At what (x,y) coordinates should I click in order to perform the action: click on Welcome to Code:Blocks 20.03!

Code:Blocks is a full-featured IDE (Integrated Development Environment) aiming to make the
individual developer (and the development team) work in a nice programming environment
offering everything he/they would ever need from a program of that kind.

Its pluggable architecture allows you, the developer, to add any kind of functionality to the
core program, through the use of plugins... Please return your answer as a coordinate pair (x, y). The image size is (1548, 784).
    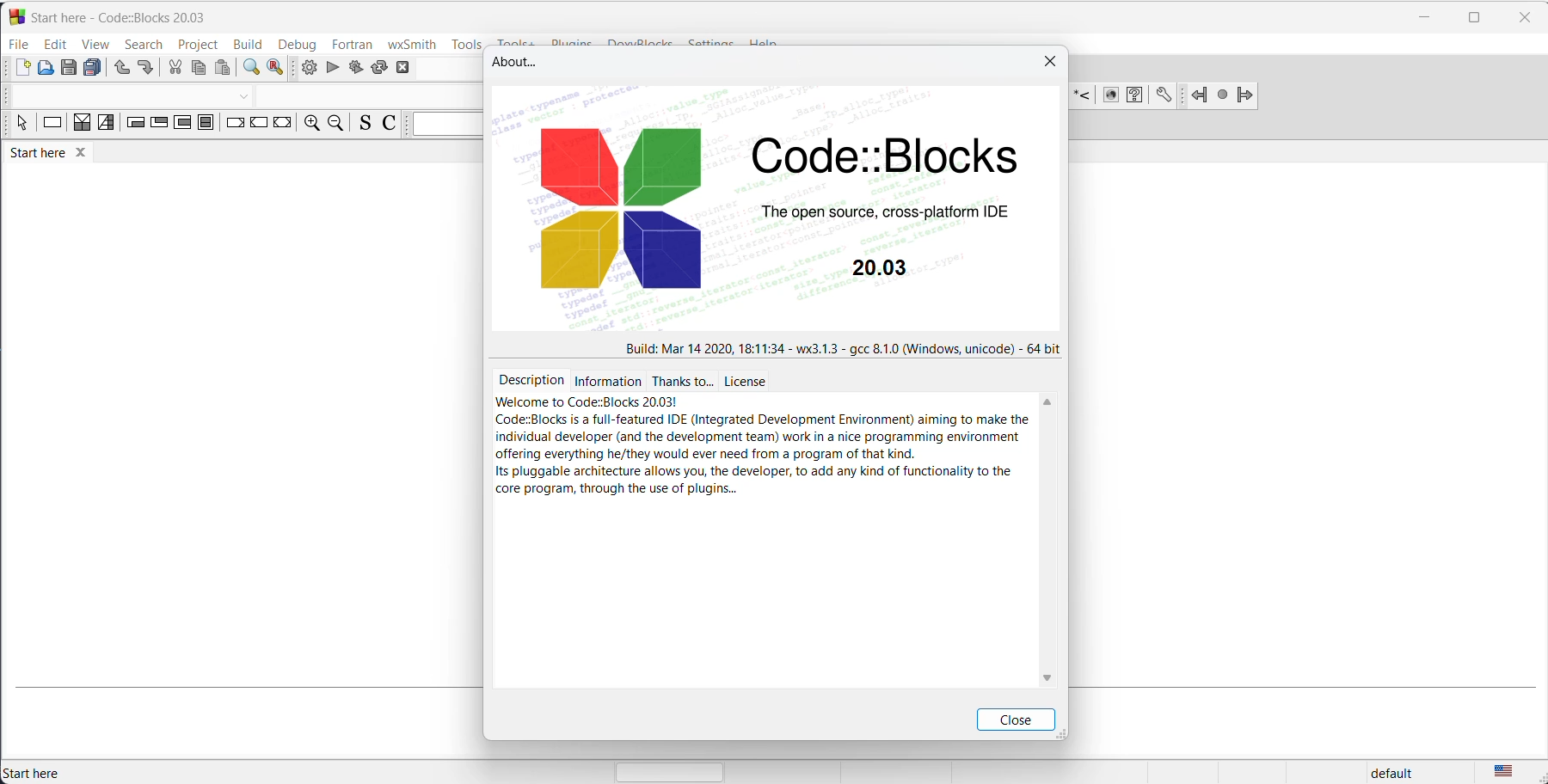
    Looking at the image, I should click on (761, 449).